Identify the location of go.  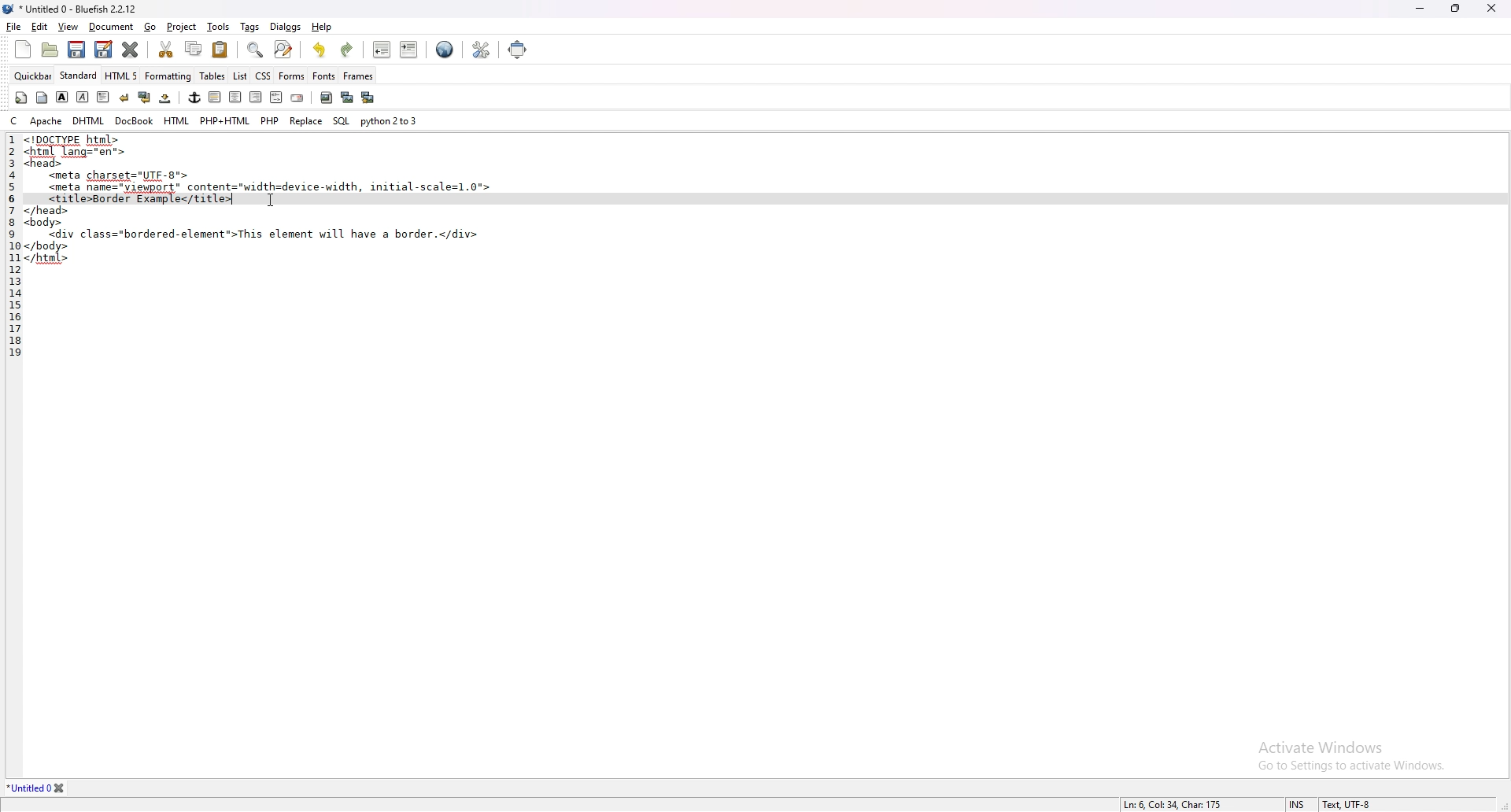
(150, 27).